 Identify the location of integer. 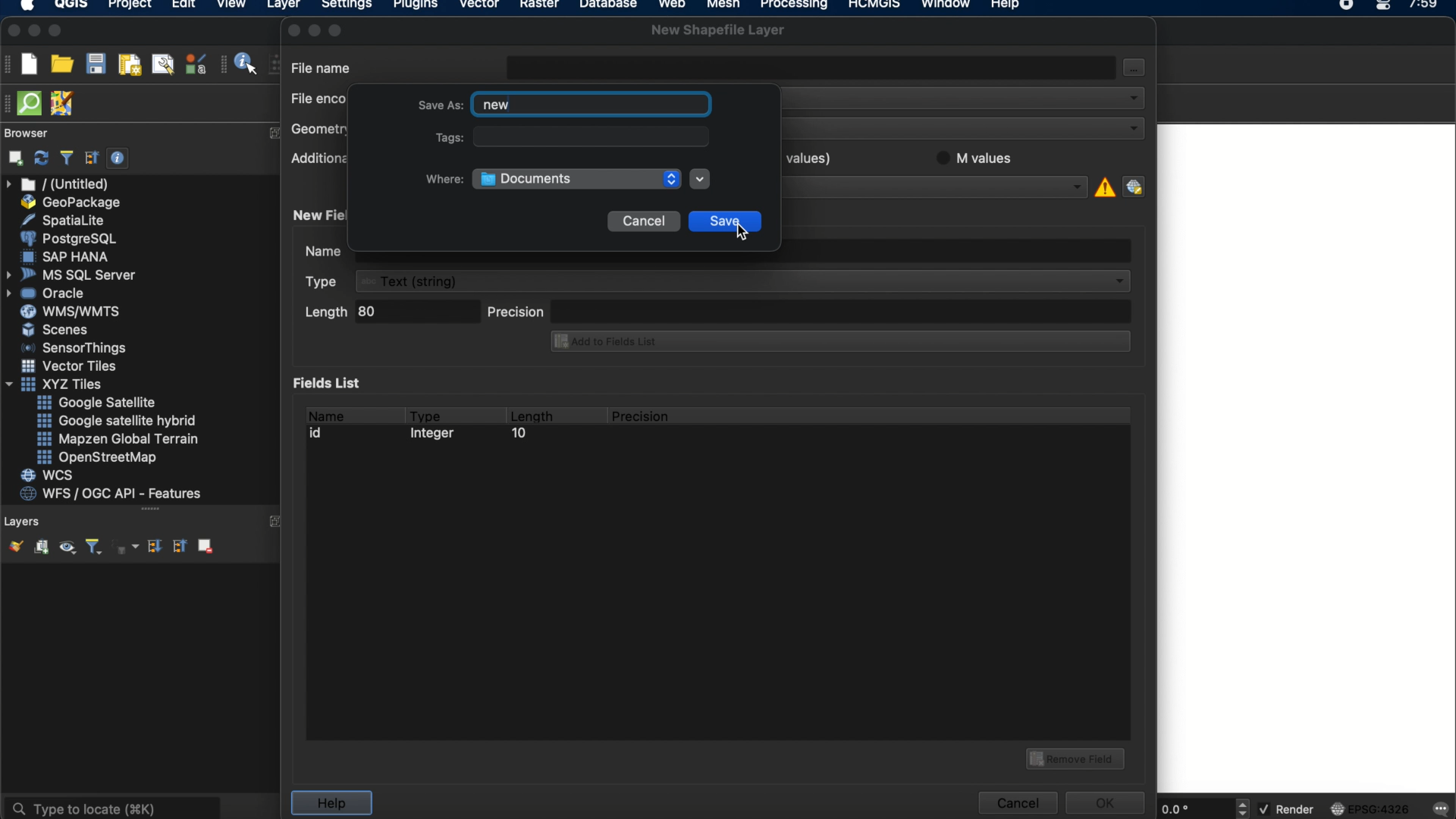
(436, 435).